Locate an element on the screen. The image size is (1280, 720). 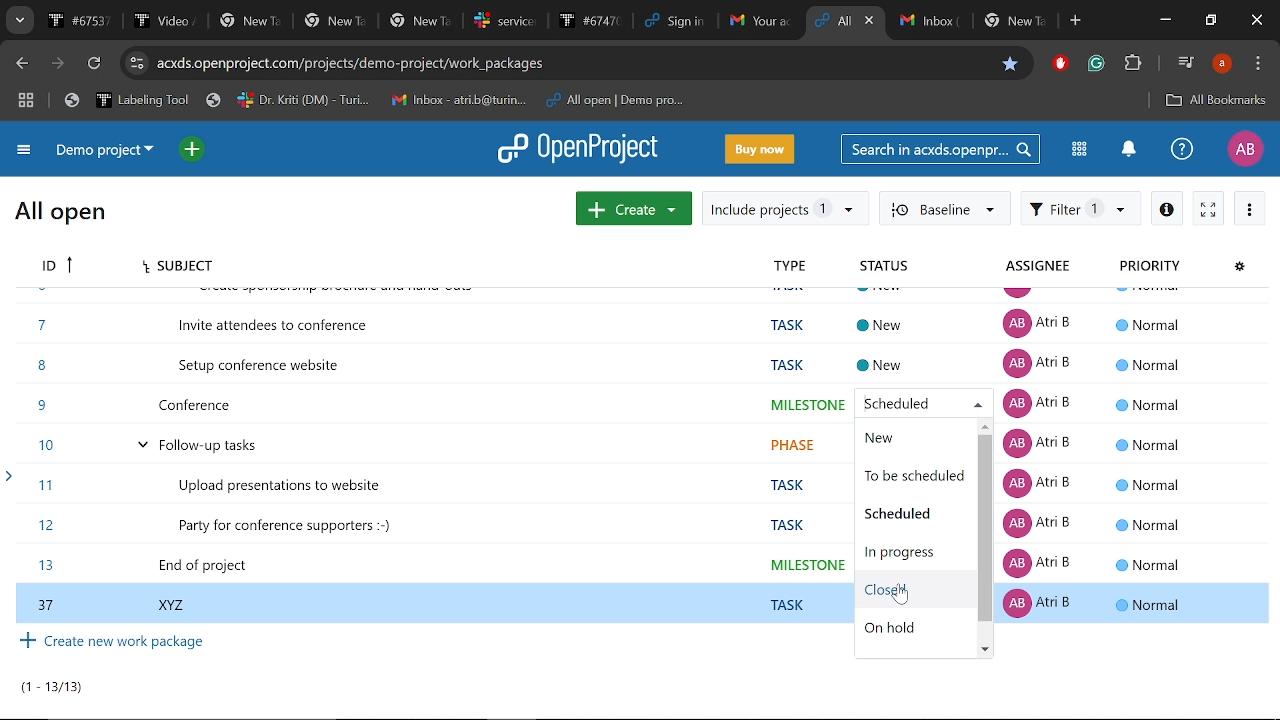
Assignee is located at coordinates (1046, 267).